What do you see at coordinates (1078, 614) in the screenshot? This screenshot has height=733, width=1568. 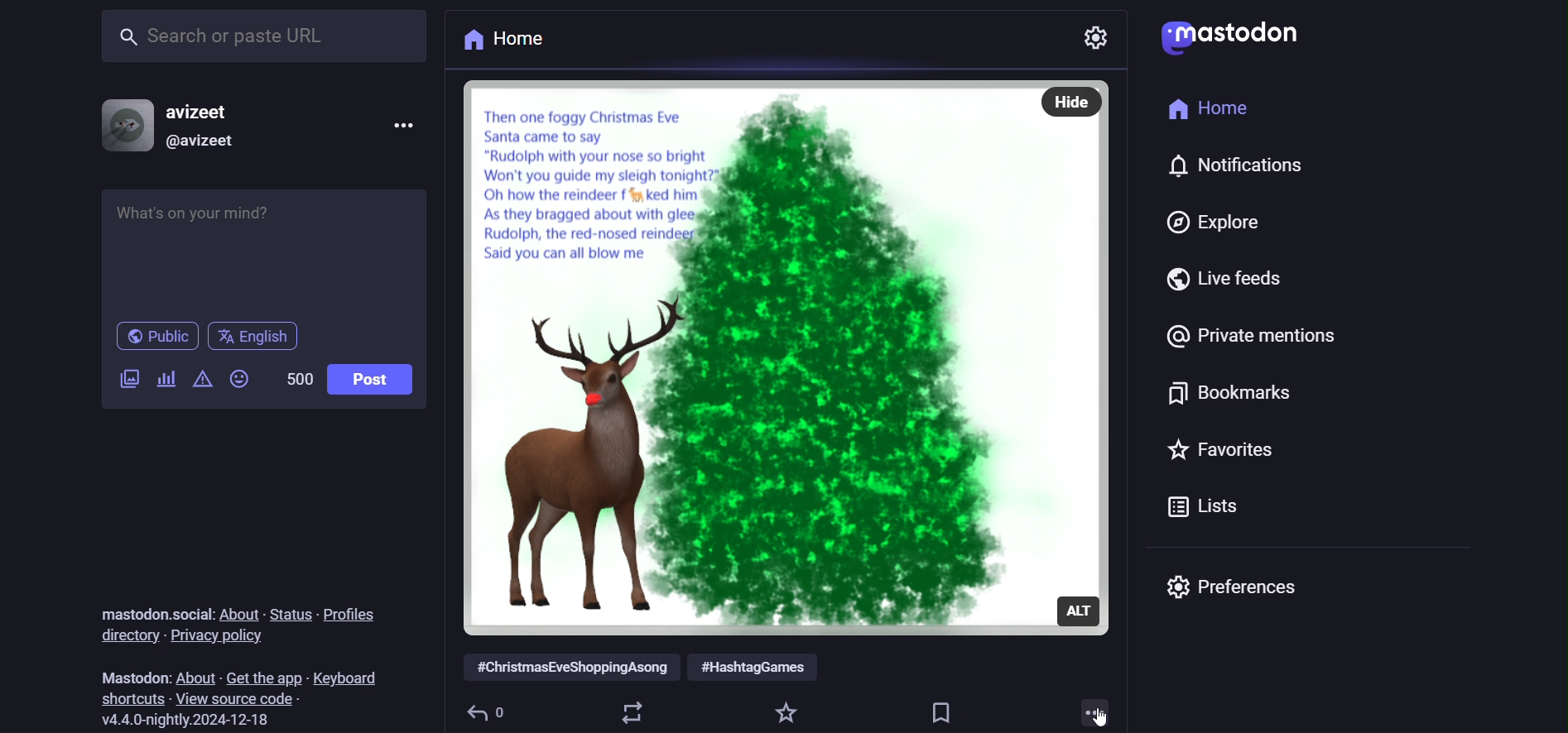 I see `alt` at bounding box center [1078, 614].